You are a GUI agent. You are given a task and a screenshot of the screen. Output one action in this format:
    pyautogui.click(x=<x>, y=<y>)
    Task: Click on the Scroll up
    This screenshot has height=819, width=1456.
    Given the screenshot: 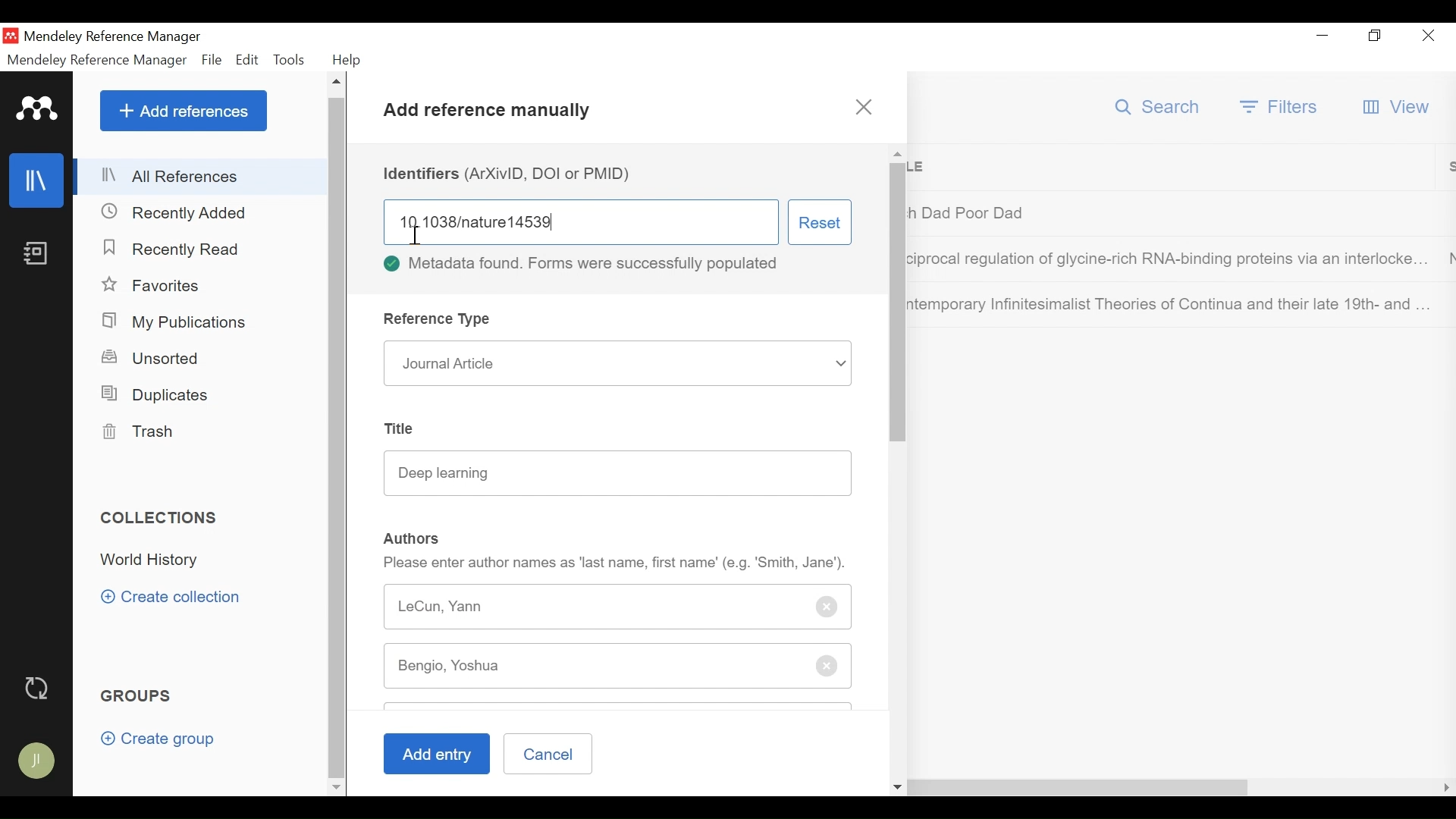 What is the action you would take?
    pyautogui.click(x=897, y=153)
    